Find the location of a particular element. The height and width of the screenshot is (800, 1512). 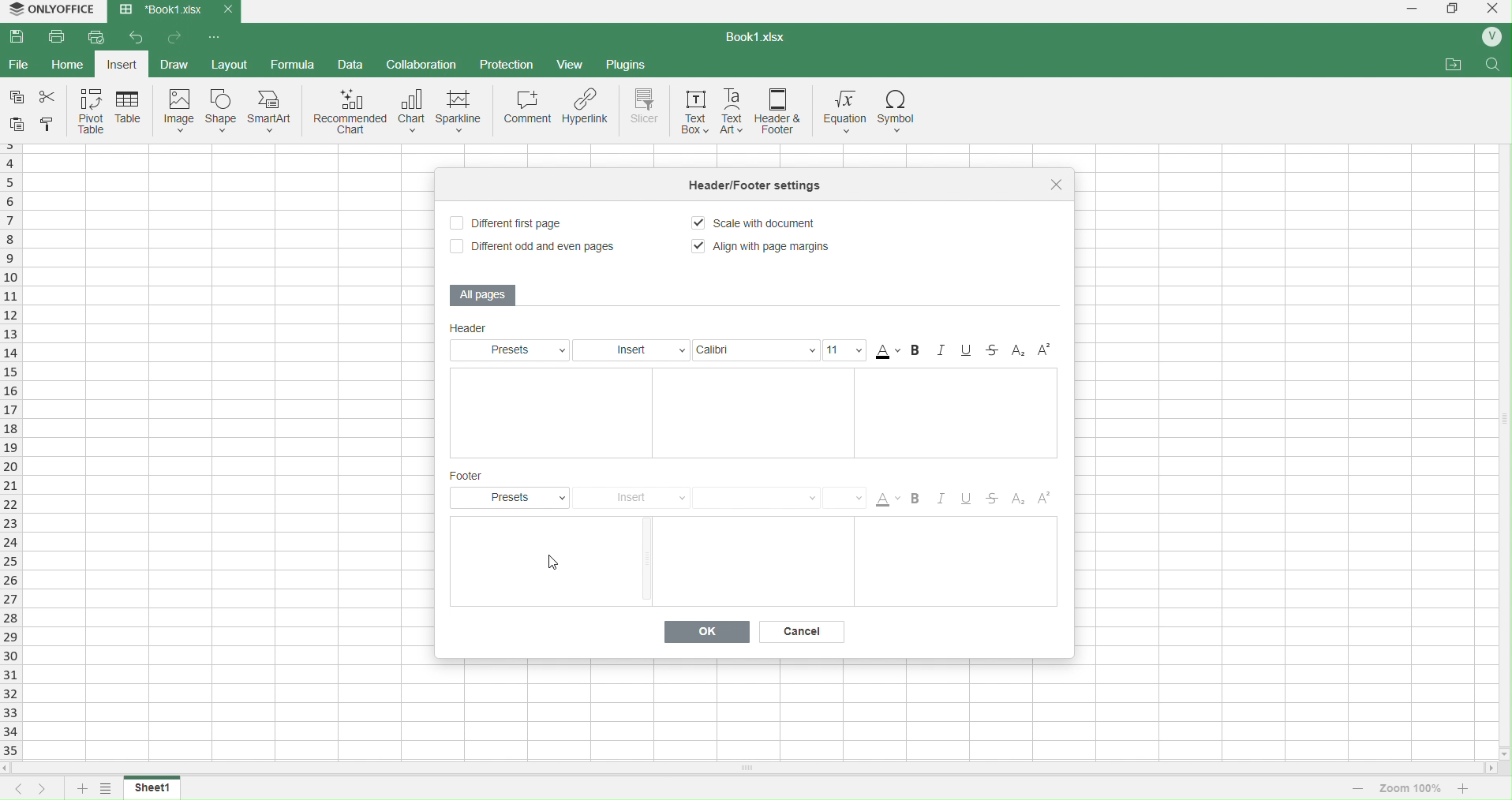

comment is located at coordinates (526, 112).